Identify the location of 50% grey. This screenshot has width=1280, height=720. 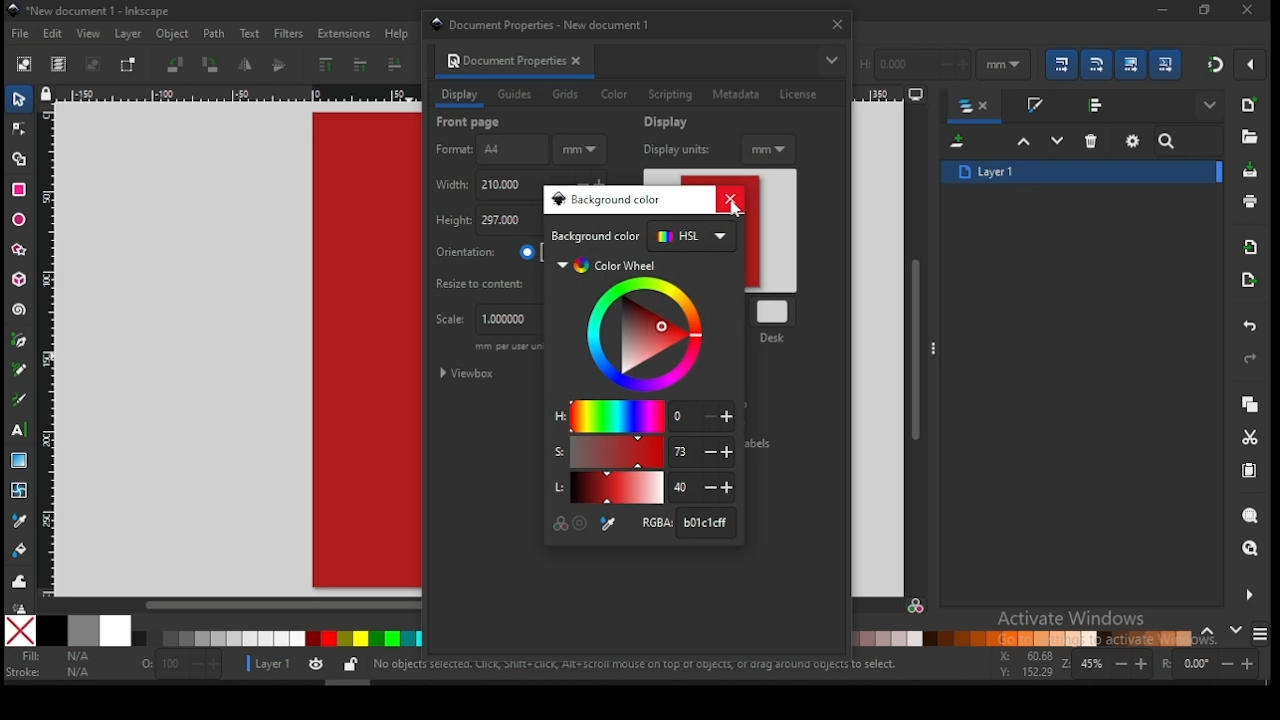
(83, 631).